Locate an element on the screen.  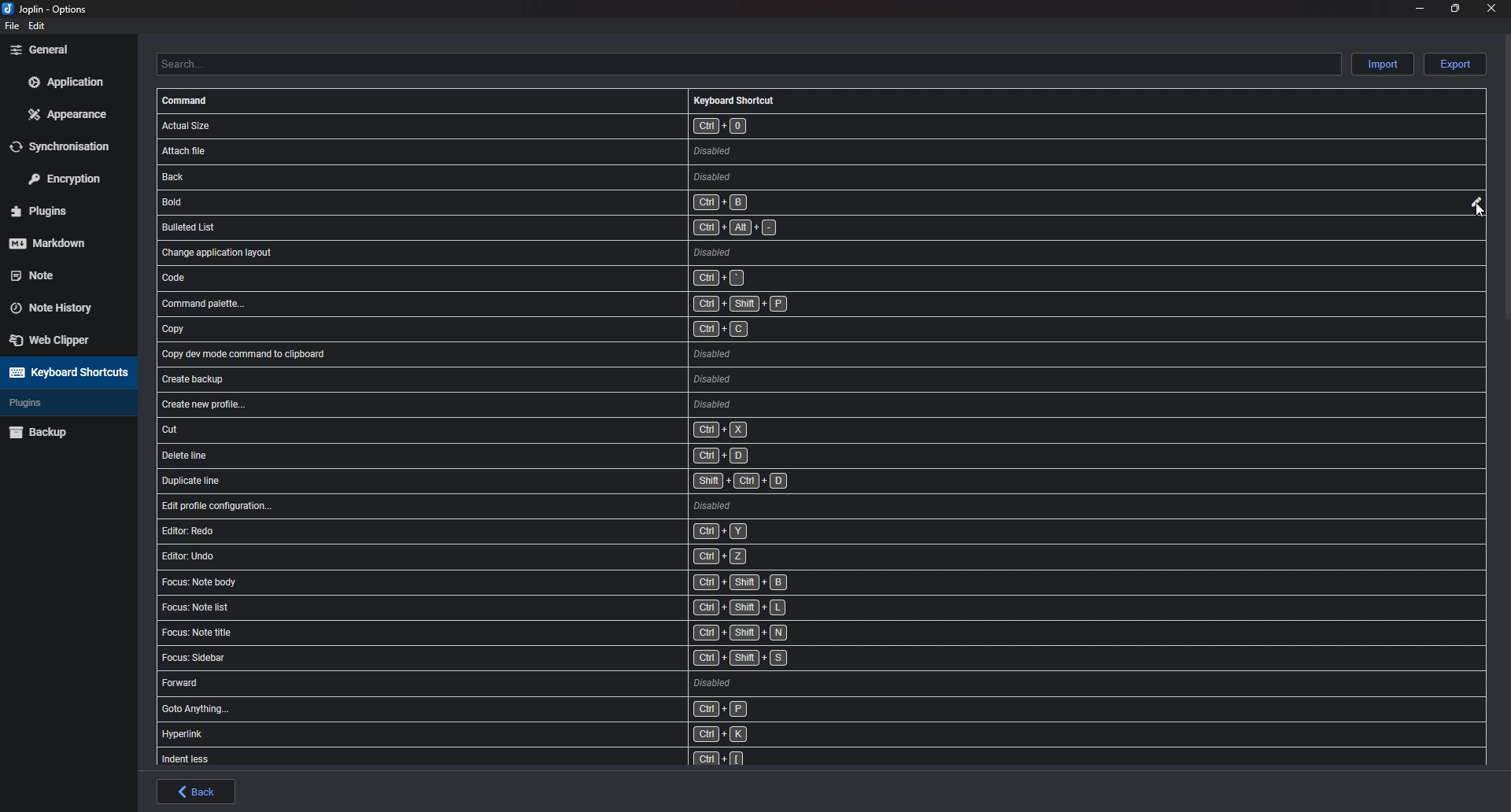
shortcut is located at coordinates (532, 125).